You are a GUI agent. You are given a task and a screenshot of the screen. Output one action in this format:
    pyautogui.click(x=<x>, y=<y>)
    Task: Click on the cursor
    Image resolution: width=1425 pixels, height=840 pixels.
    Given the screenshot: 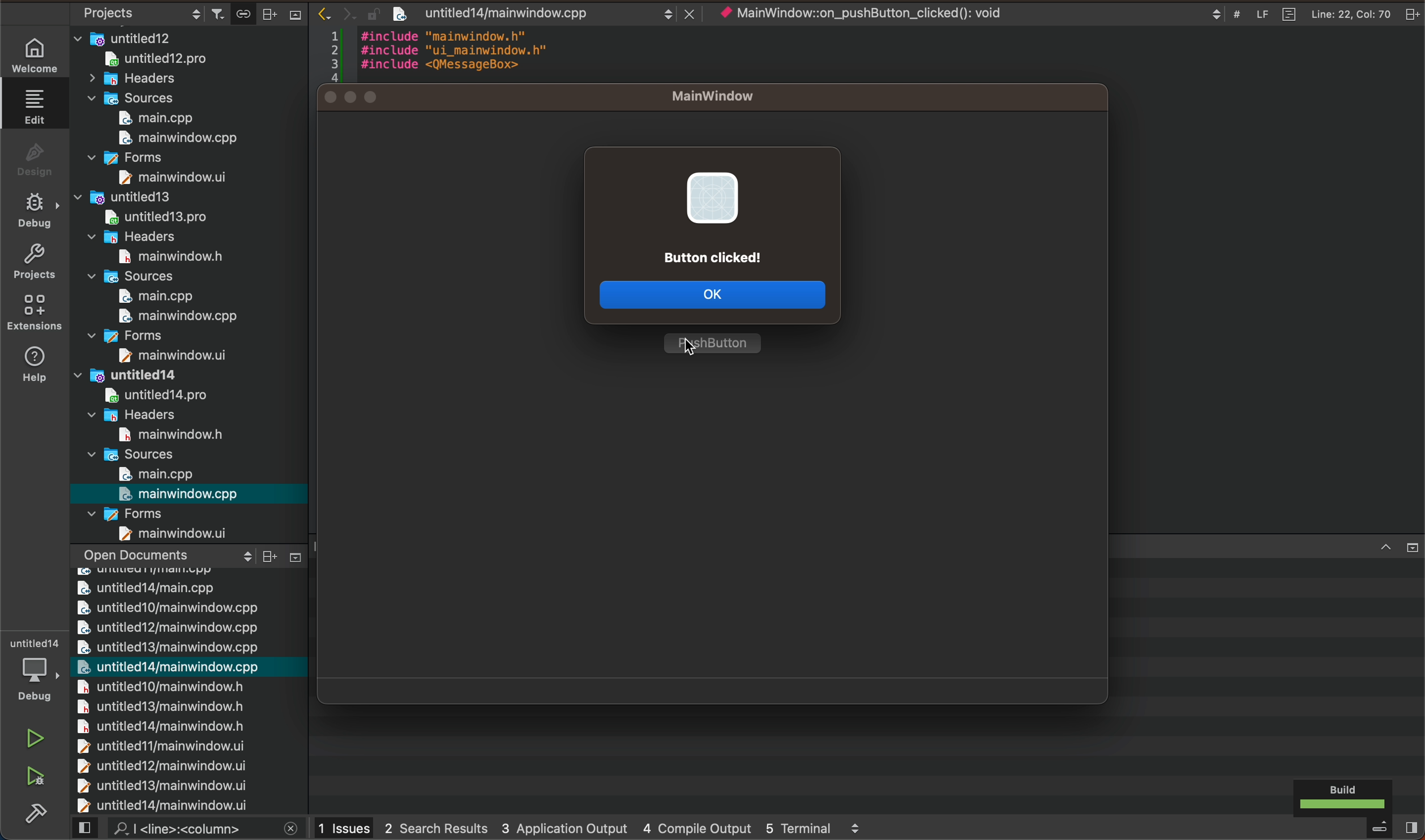 What is the action you would take?
    pyautogui.click(x=692, y=344)
    